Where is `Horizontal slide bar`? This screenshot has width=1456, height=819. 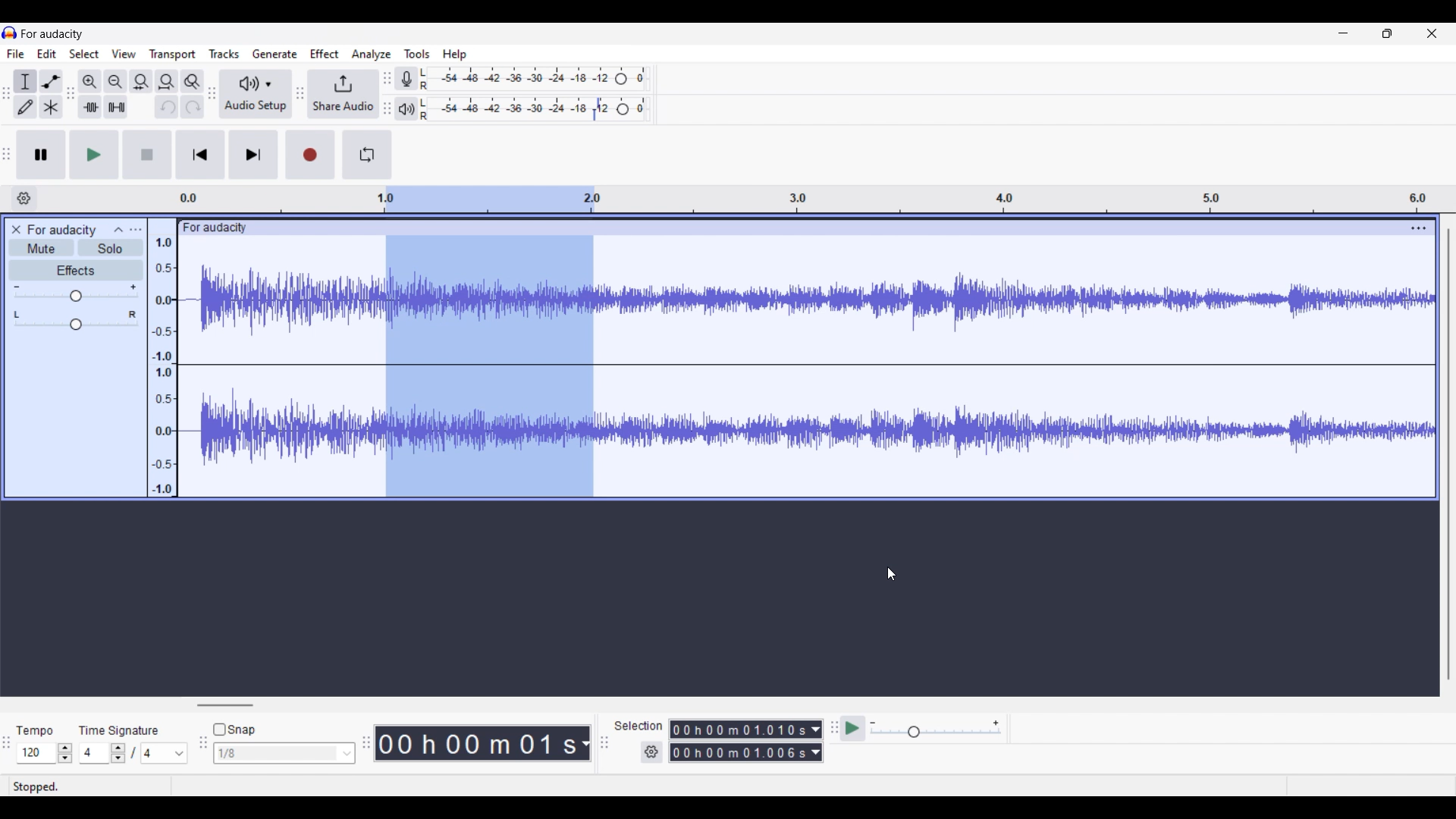
Horizontal slide bar is located at coordinates (224, 705).